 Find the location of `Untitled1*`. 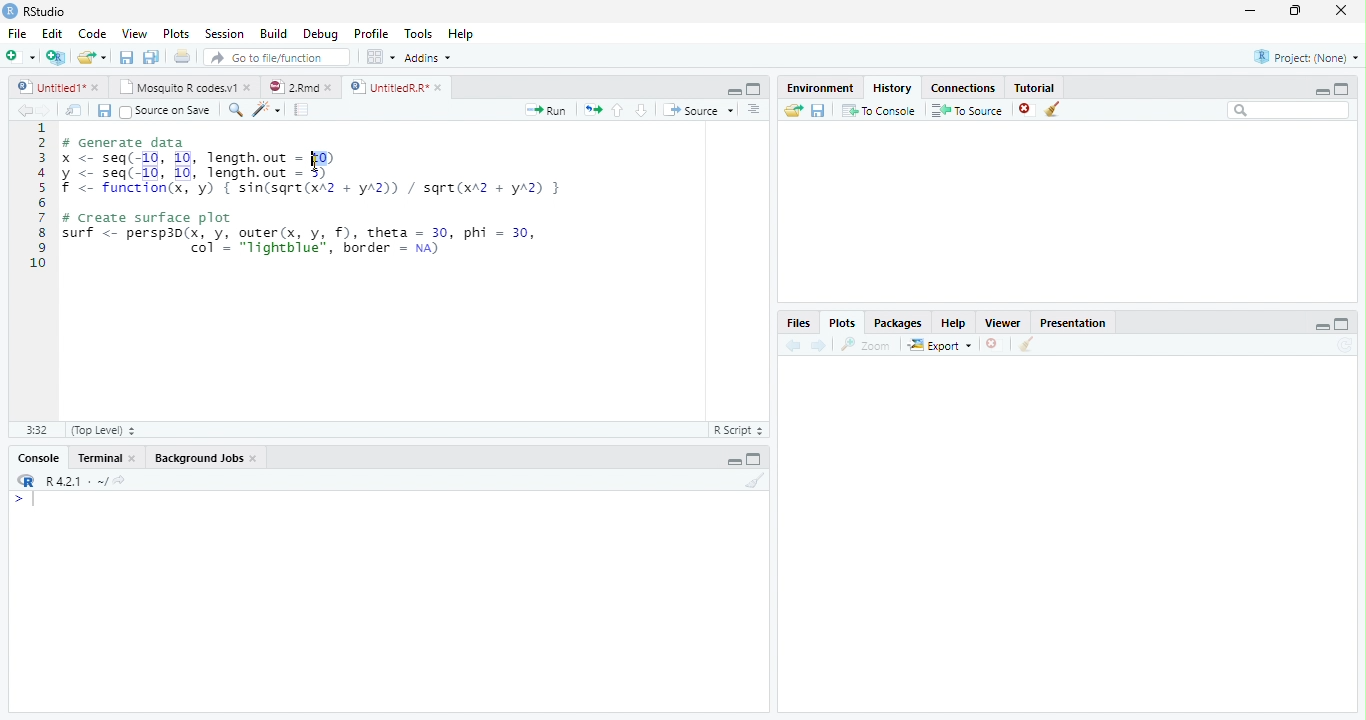

Untitled1* is located at coordinates (48, 86).